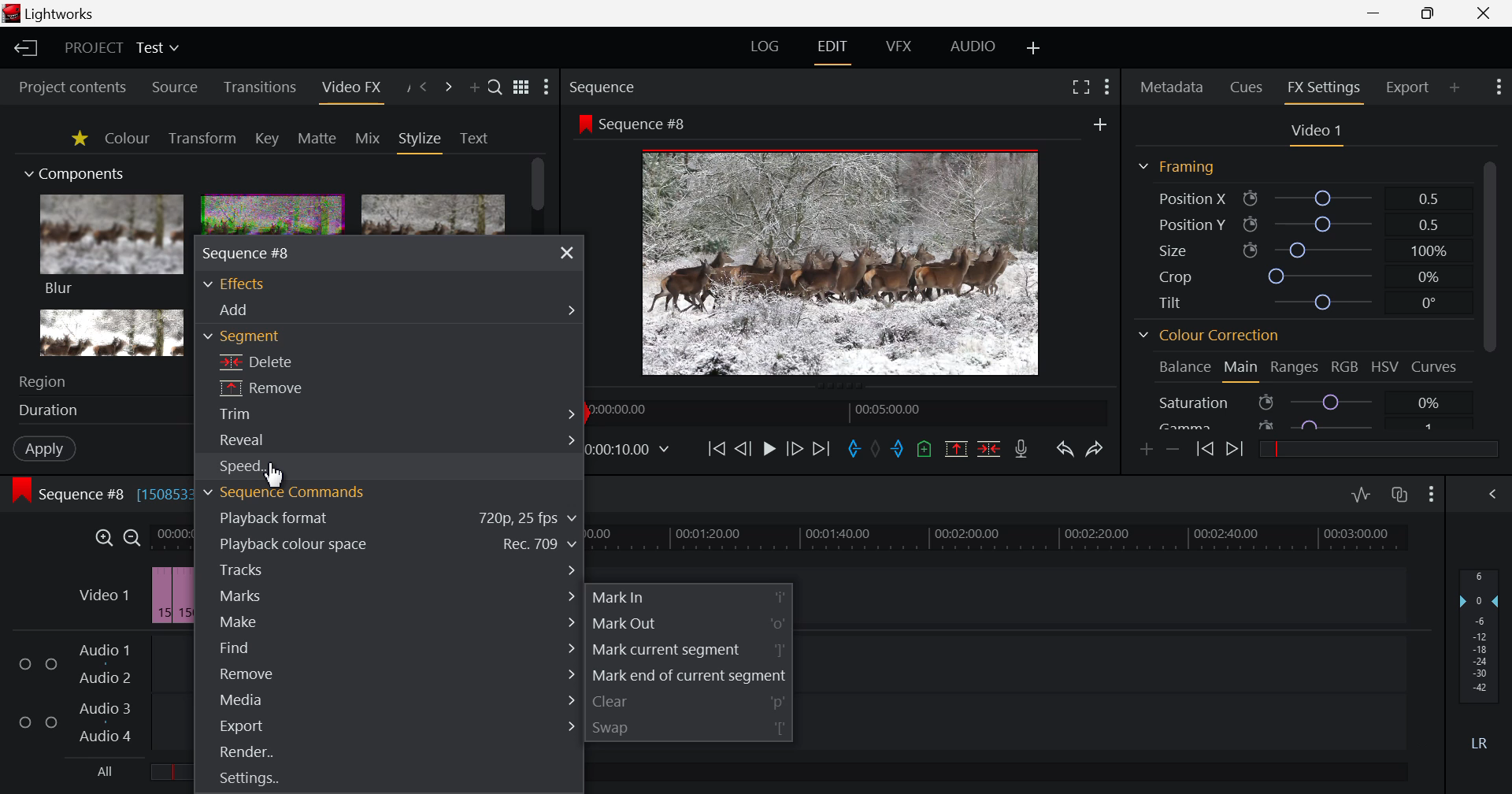 The image size is (1512, 794). What do you see at coordinates (245, 283) in the screenshot?
I see `Effects` at bounding box center [245, 283].